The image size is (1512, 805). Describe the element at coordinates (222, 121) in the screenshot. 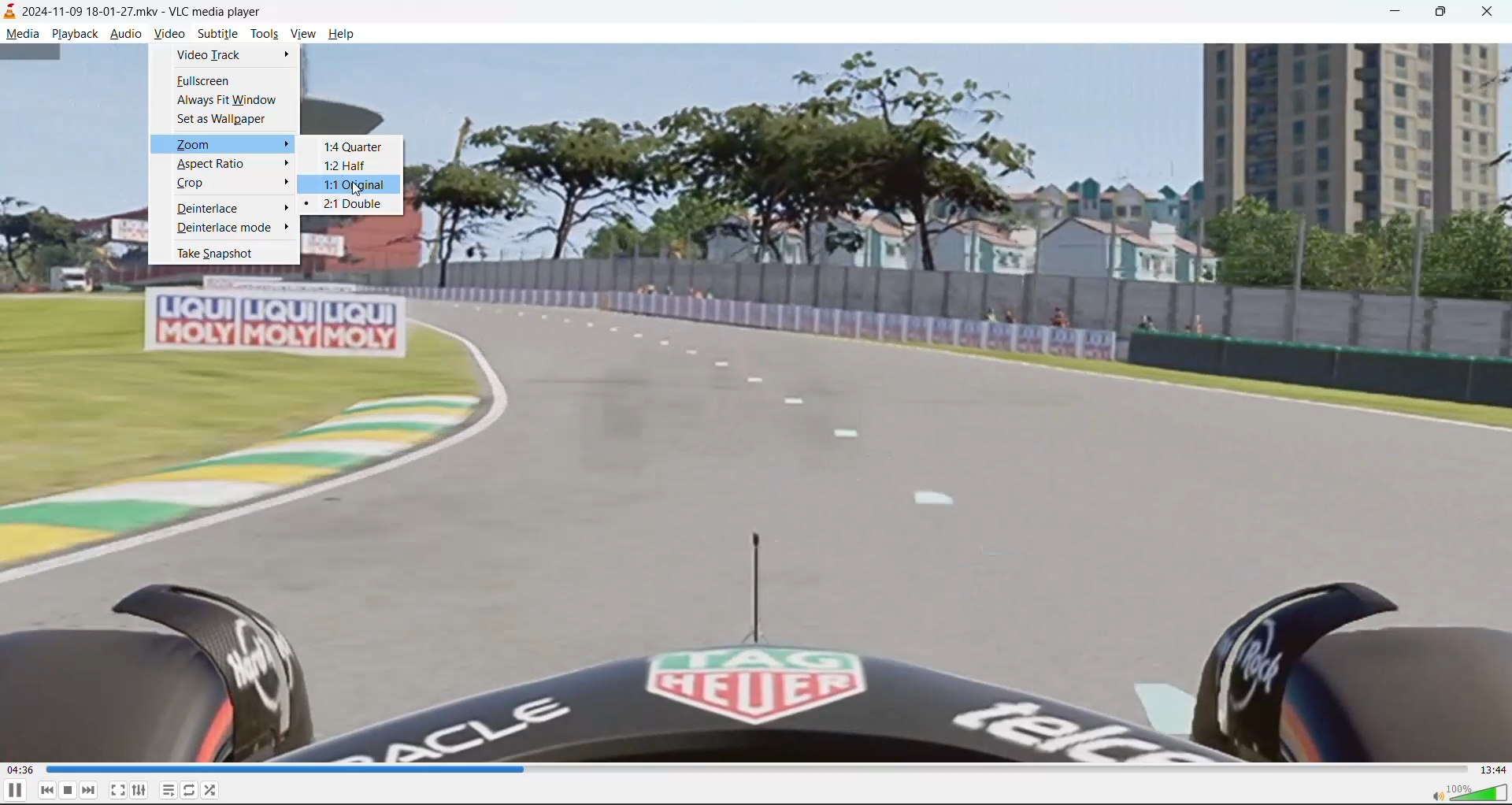

I see `set as wallpaper` at that location.